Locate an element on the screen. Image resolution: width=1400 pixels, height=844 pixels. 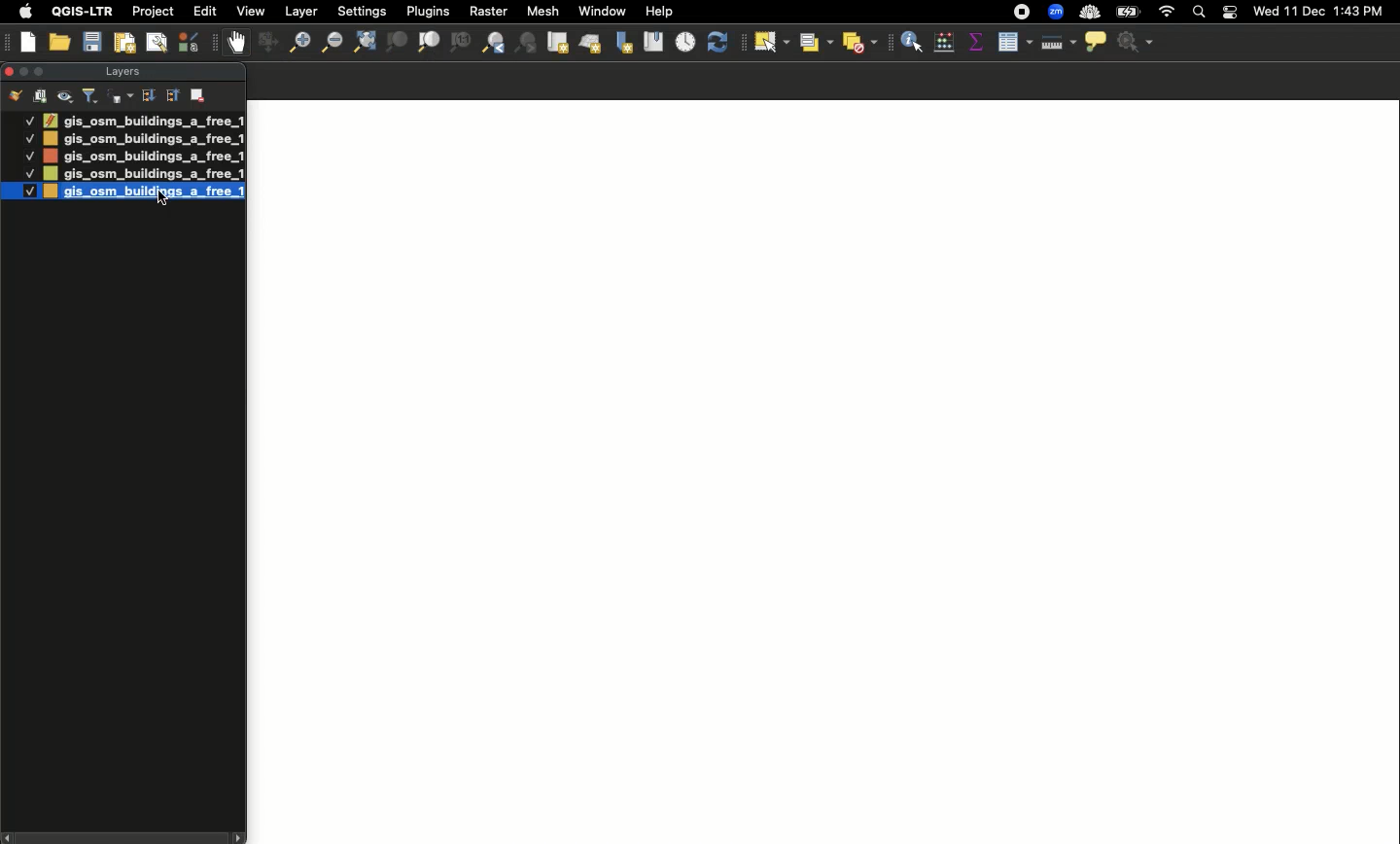
Maximize is located at coordinates (43, 71).